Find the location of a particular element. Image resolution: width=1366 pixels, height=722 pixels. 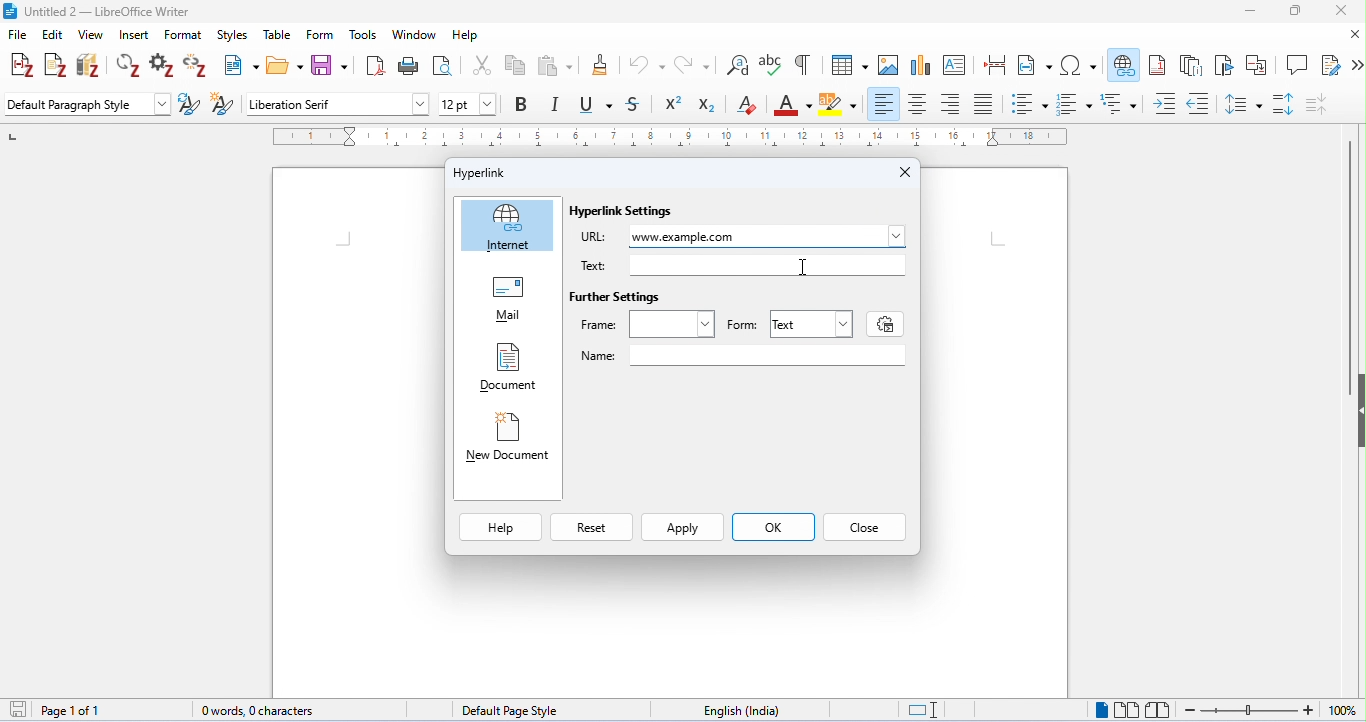

show track changes function is located at coordinates (1332, 64).